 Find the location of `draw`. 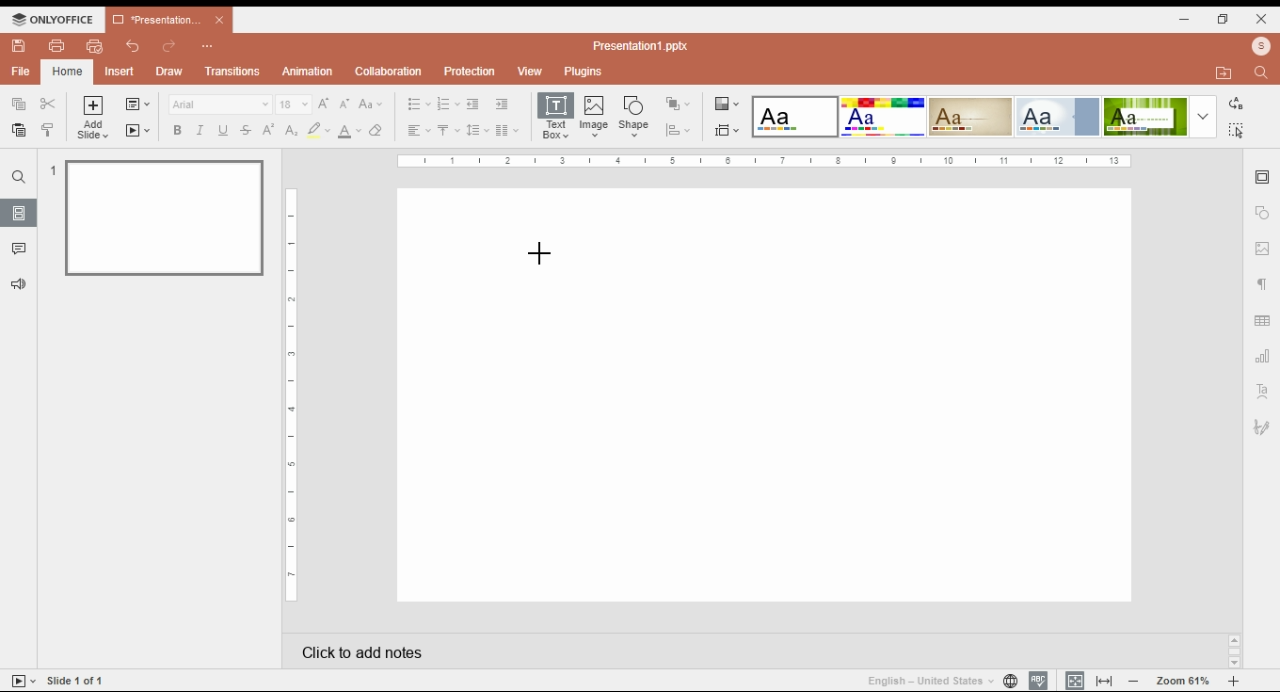

draw is located at coordinates (169, 72).